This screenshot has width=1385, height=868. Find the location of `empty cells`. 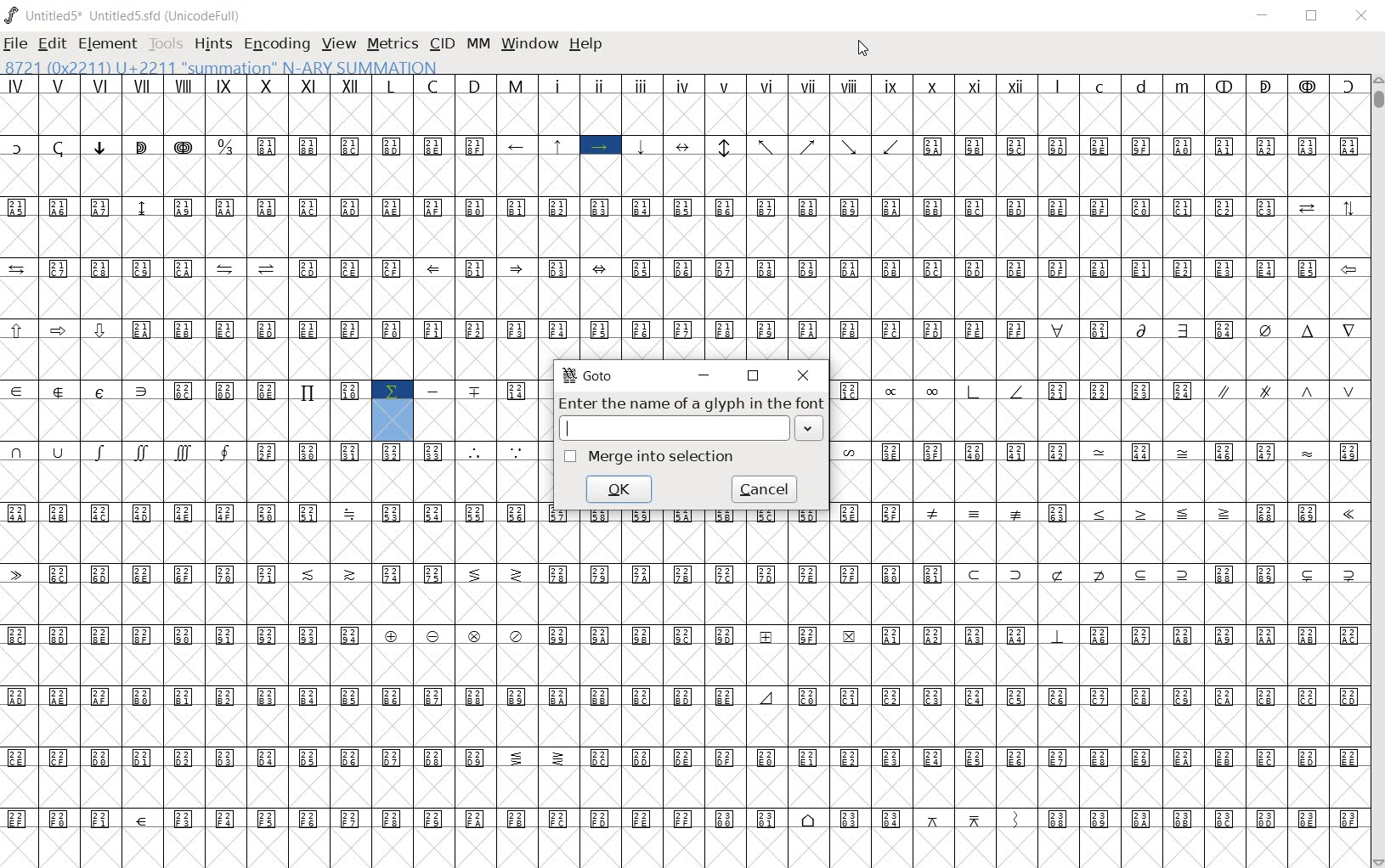

empty cells is located at coordinates (1096, 481).